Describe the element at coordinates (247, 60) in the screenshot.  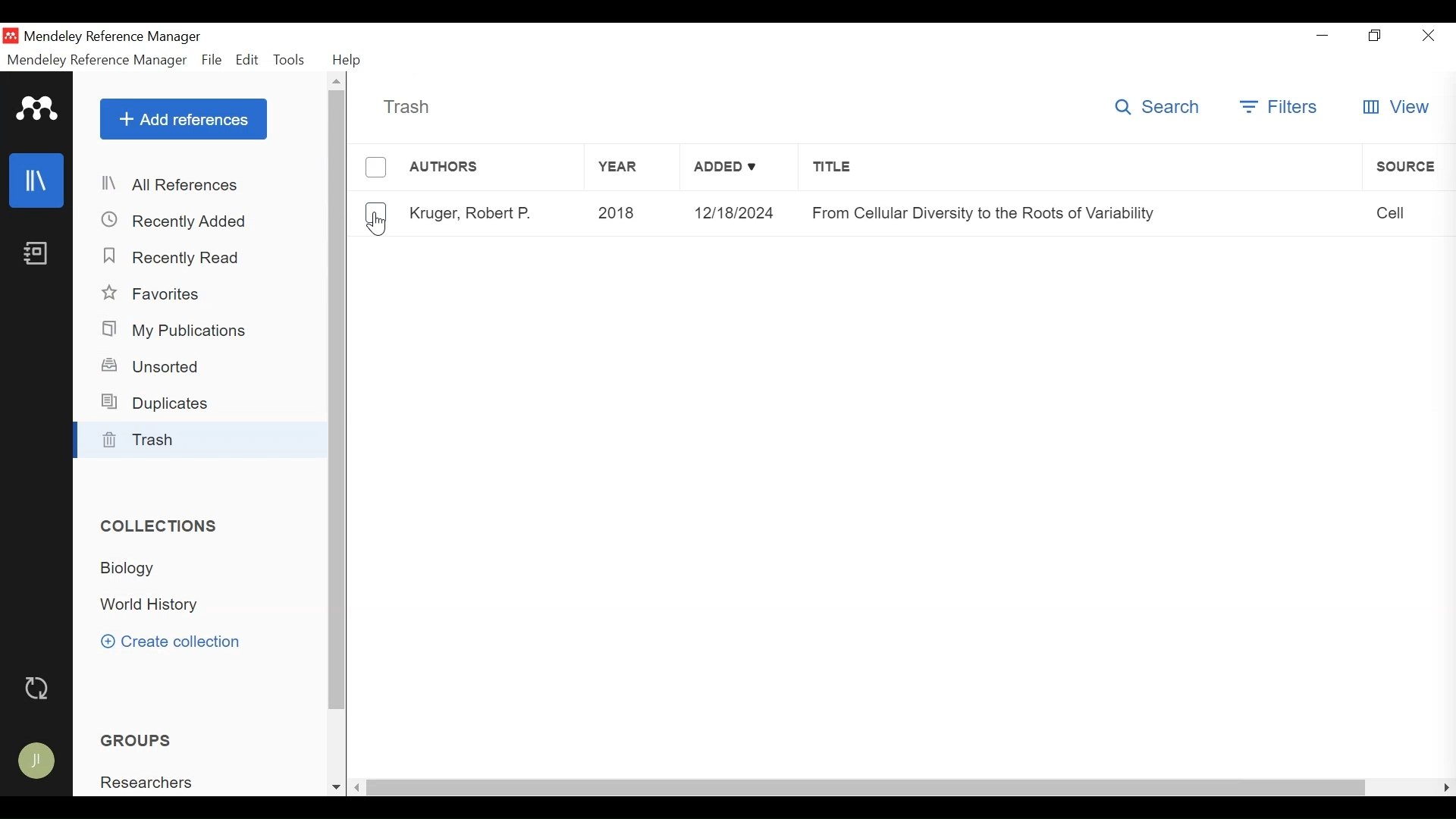
I see `Edit` at that location.